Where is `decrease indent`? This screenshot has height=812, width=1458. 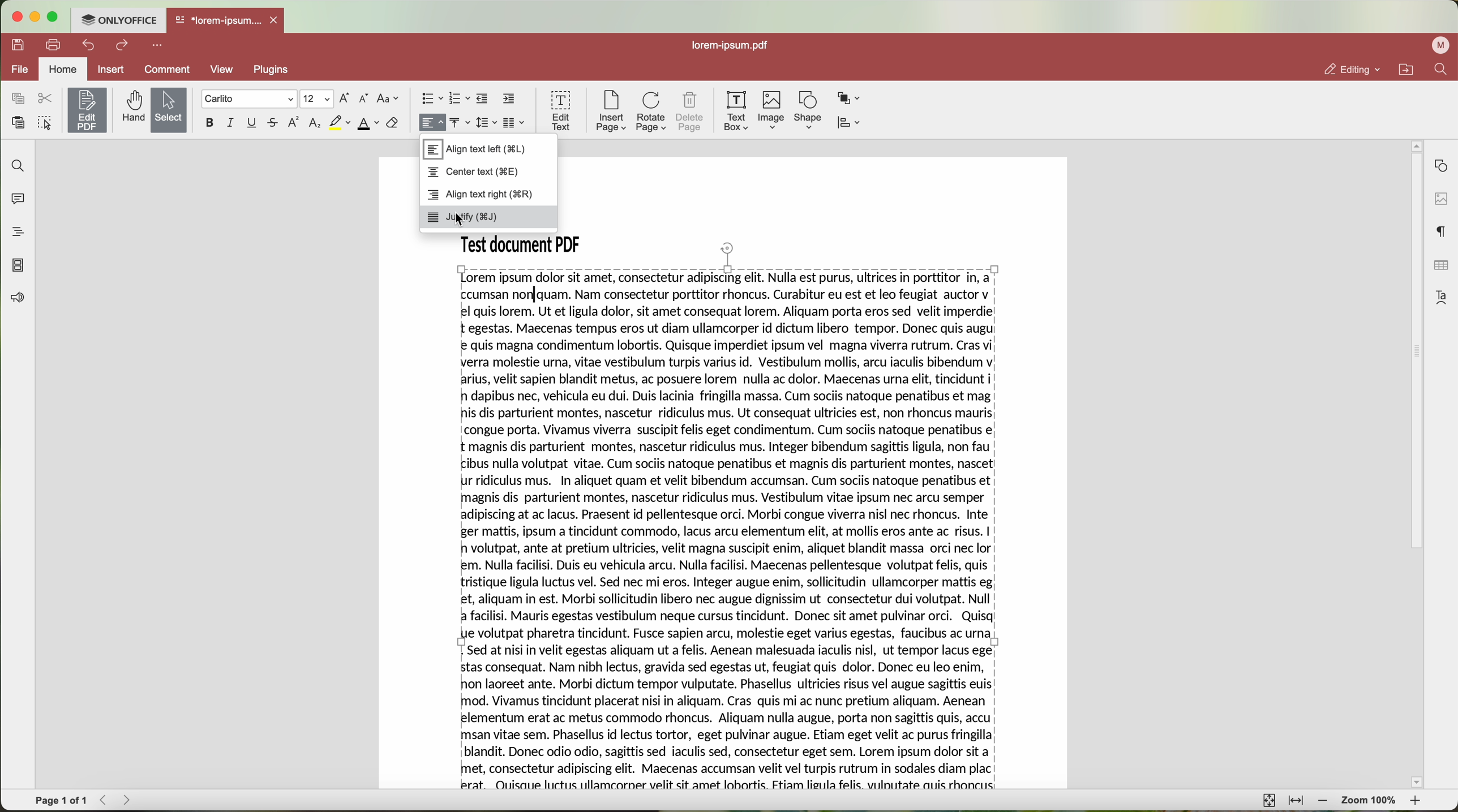
decrease indent is located at coordinates (482, 98).